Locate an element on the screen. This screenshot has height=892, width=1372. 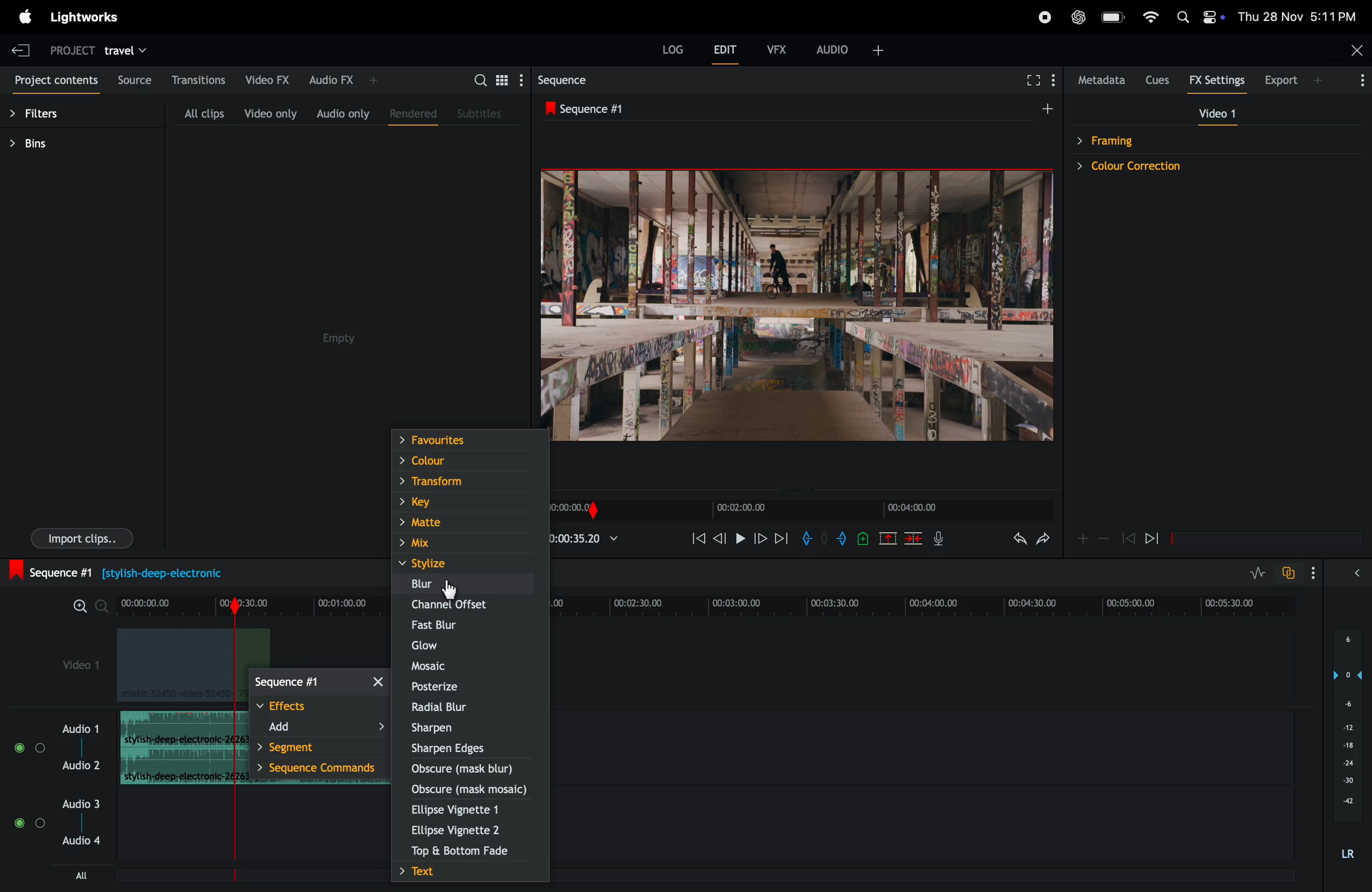
show menu is located at coordinates (1057, 78).